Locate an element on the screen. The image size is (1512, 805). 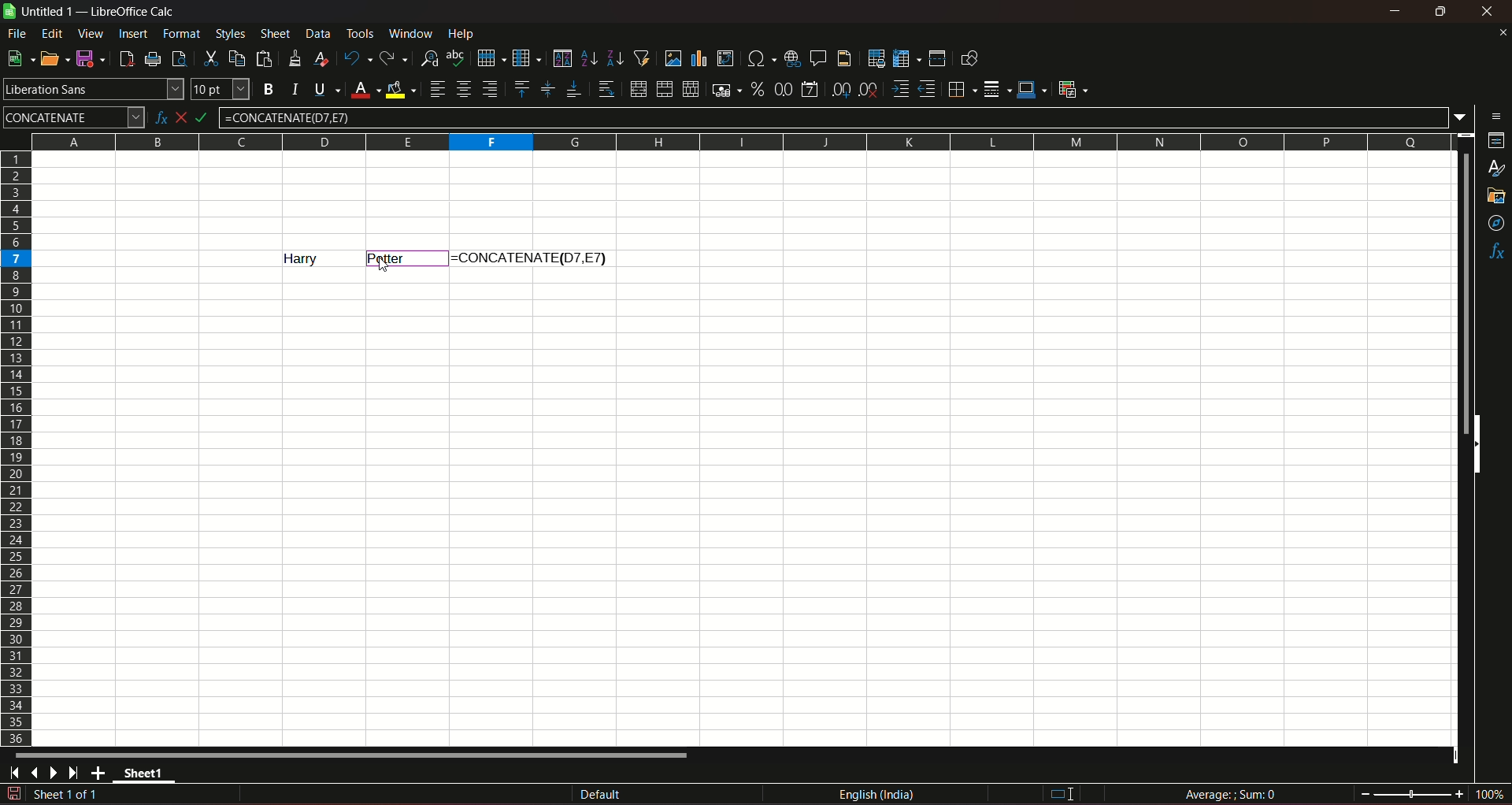
gallery is located at coordinates (1495, 196).